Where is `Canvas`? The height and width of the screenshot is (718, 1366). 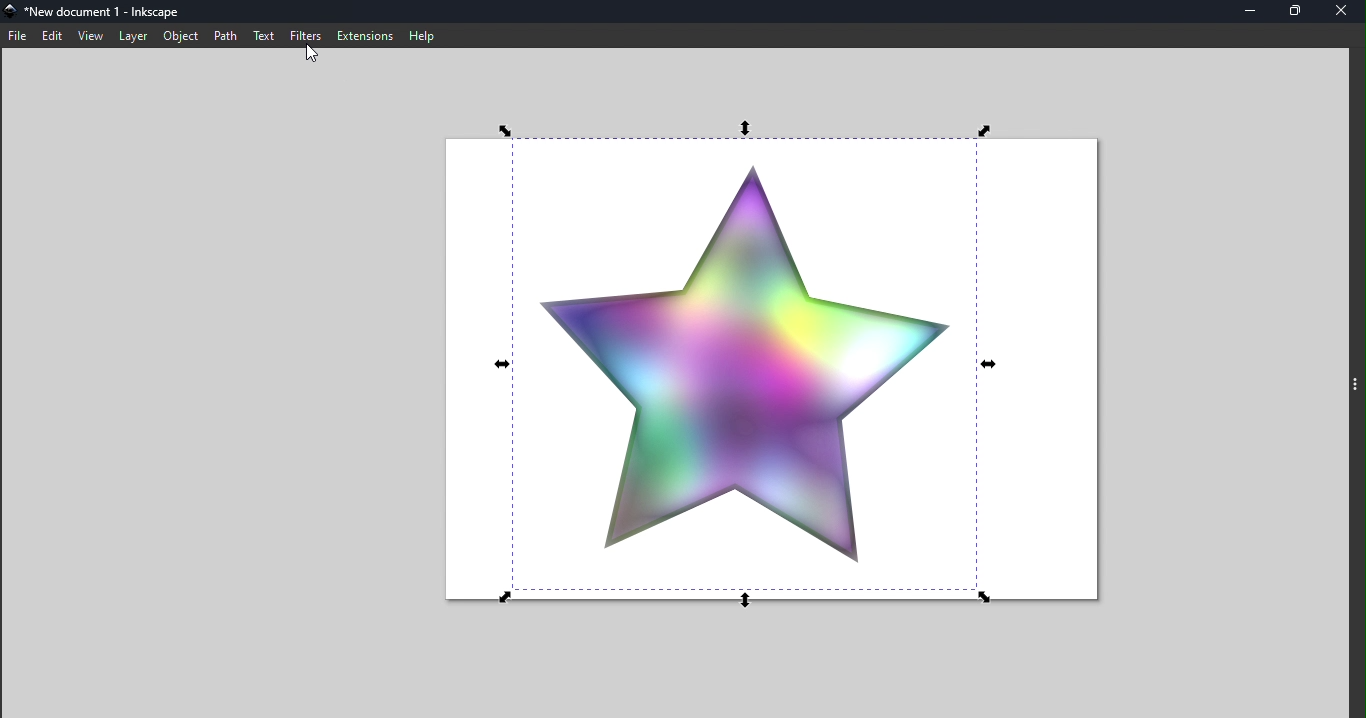 Canvas is located at coordinates (767, 364).